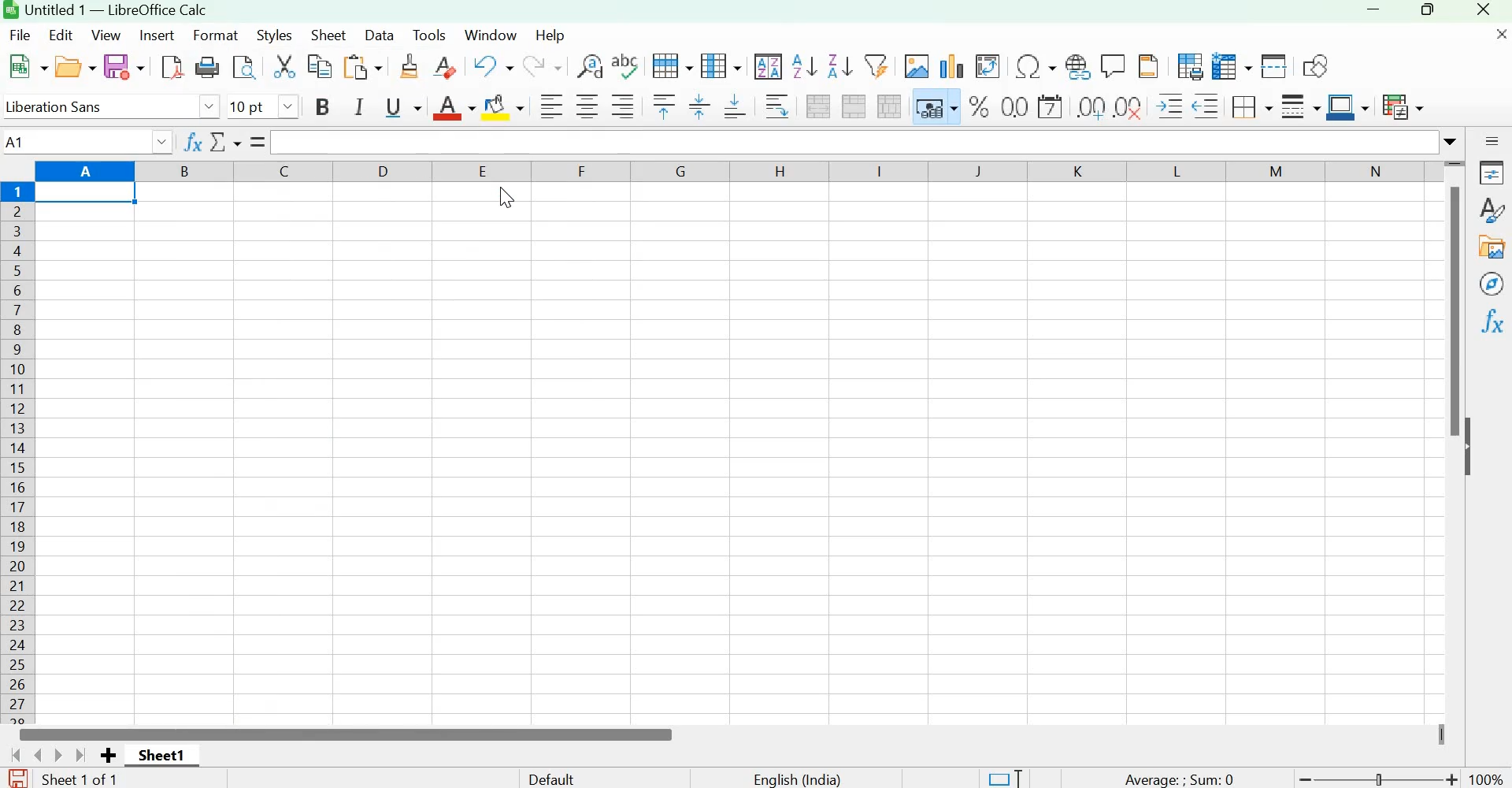 The height and width of the screenshot is (788, 1512). I want to click on Font color, so click(452, 104).